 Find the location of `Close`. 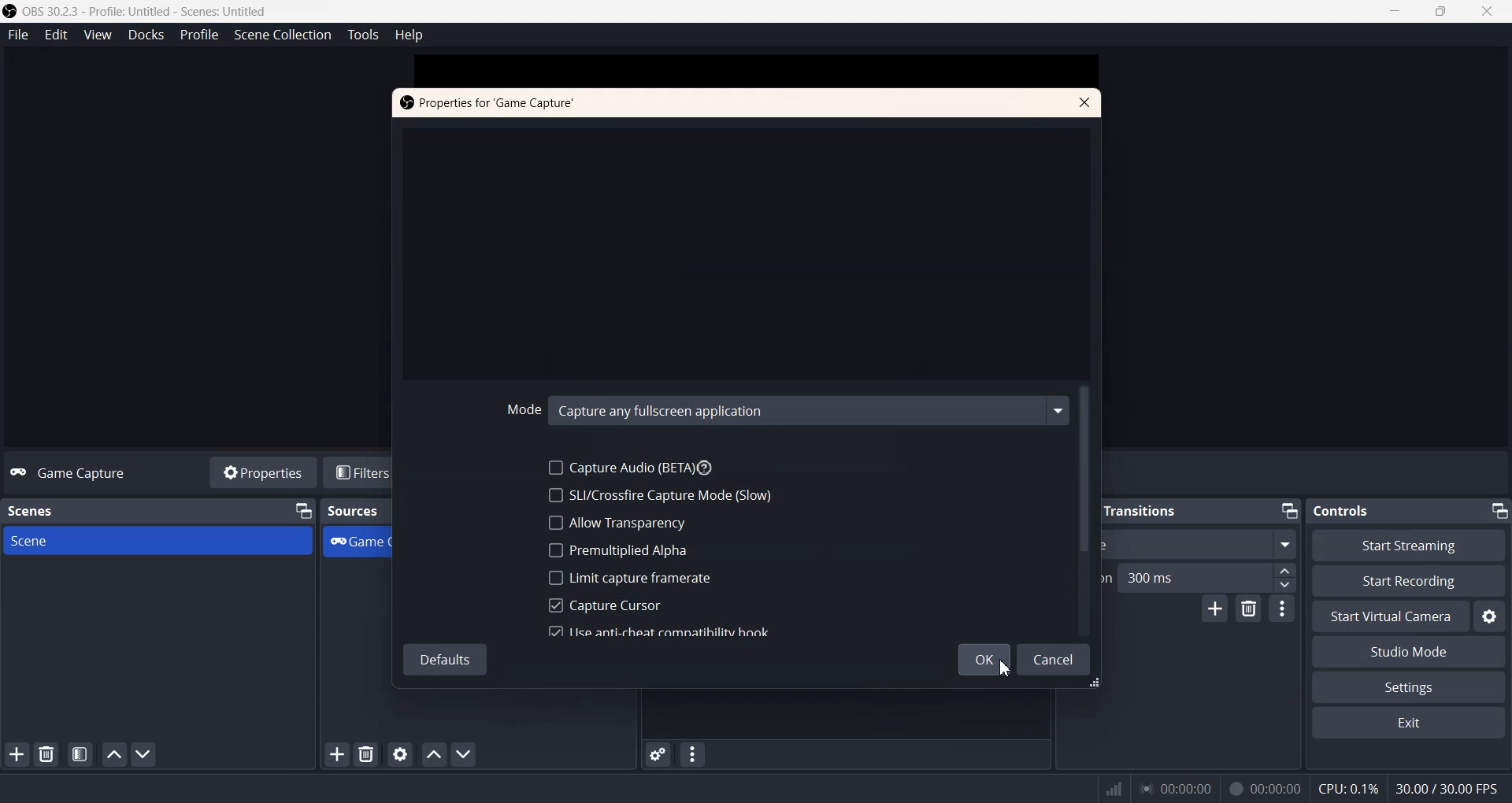

Close is located at coordinates (1084, 102).